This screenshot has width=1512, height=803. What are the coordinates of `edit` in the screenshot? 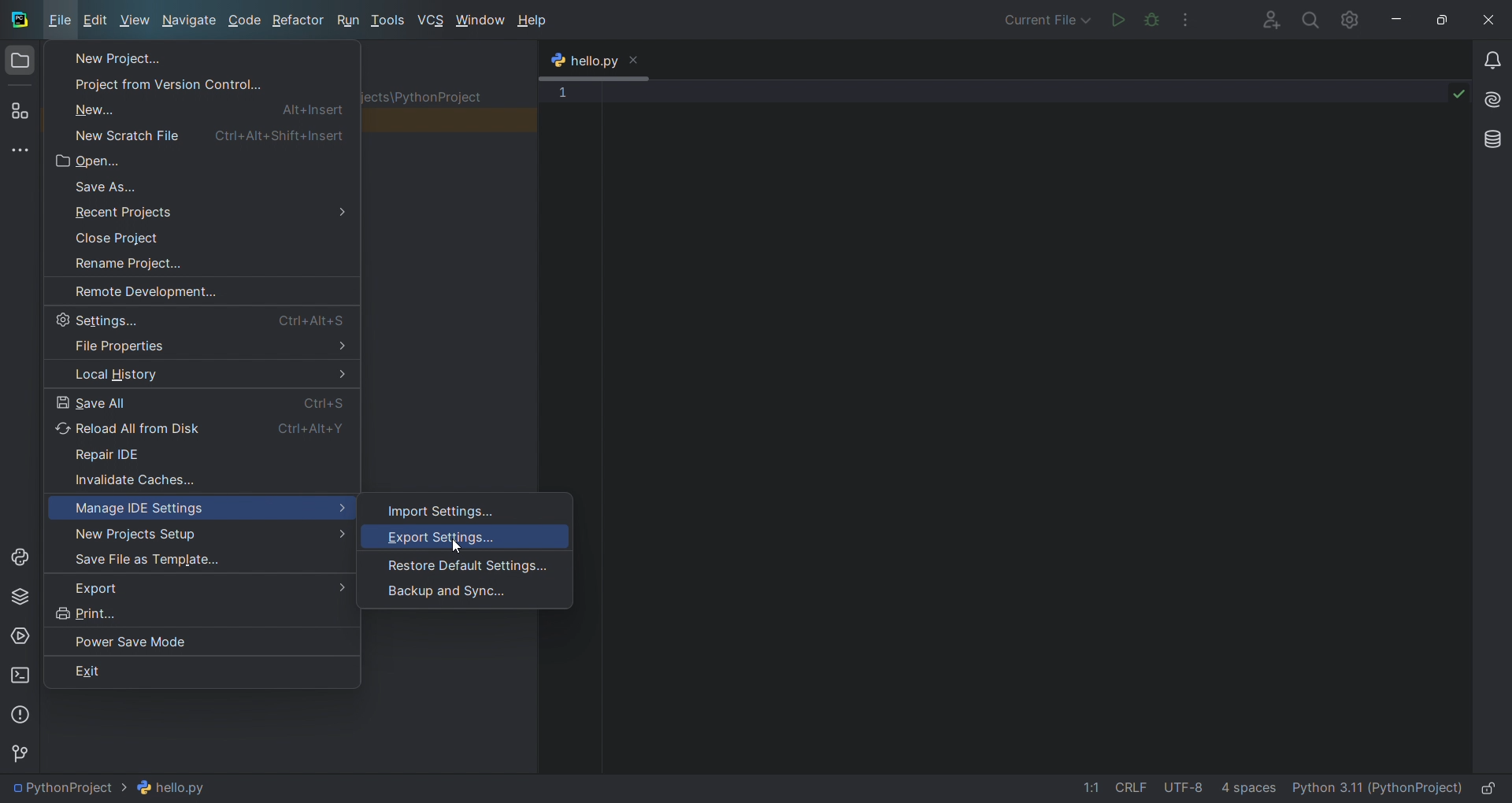 It's located at (98, 22).